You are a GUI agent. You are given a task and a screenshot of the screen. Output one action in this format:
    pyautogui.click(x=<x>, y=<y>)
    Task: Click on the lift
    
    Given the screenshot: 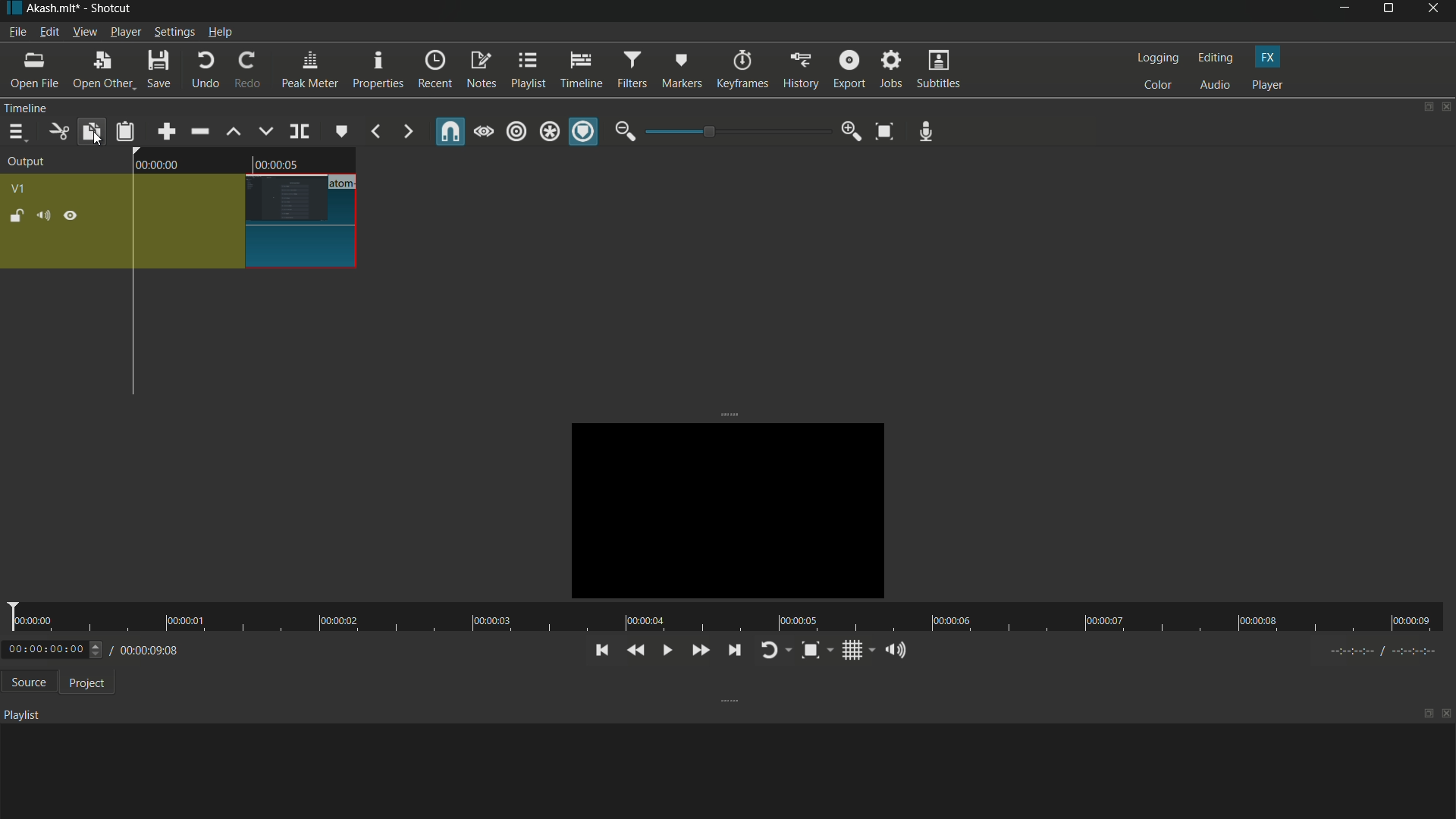 What is the action you would take?
    pyautogui.click(x=234, y=132)
    